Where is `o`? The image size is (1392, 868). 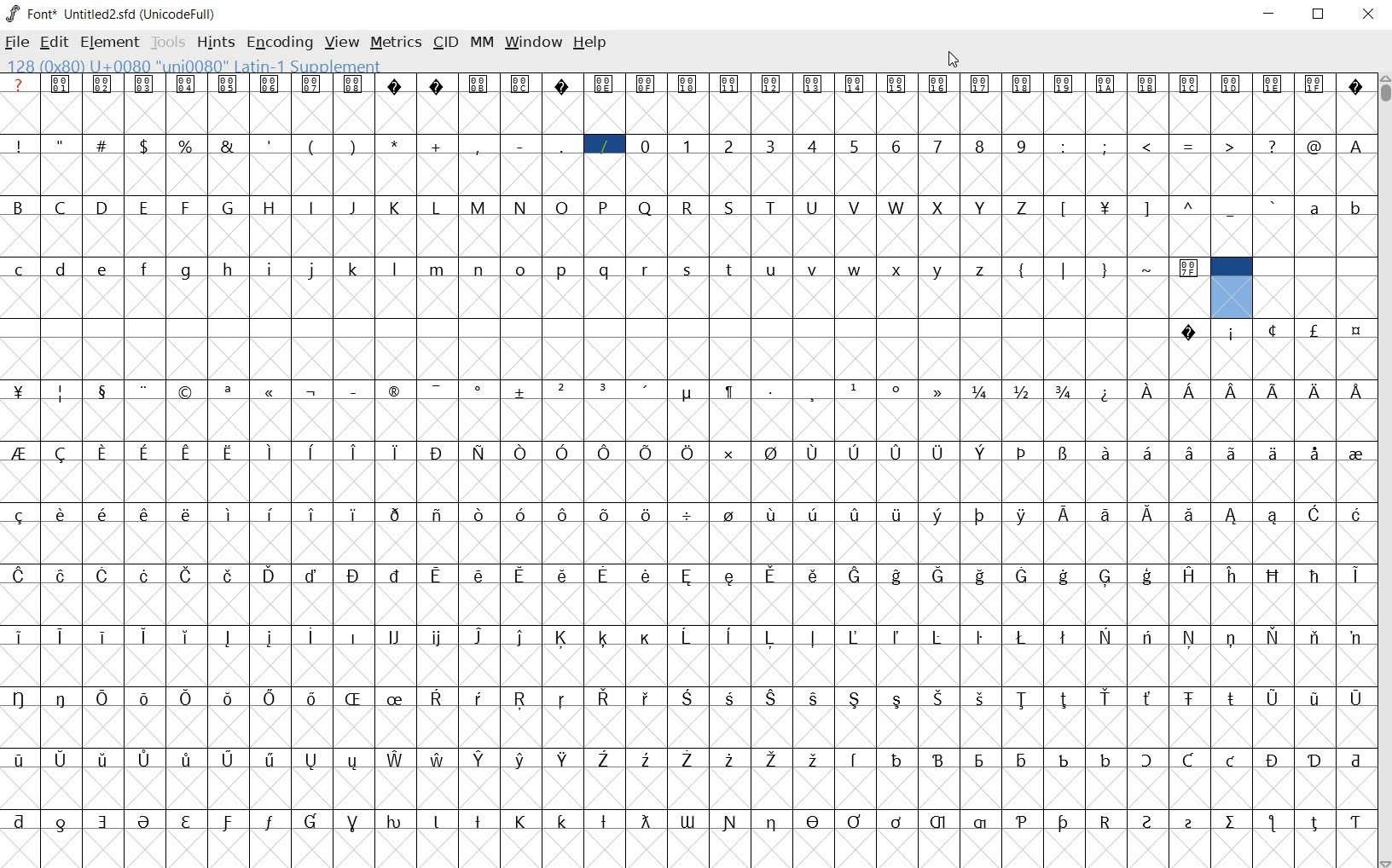
o is located at coordinates (521, 269).